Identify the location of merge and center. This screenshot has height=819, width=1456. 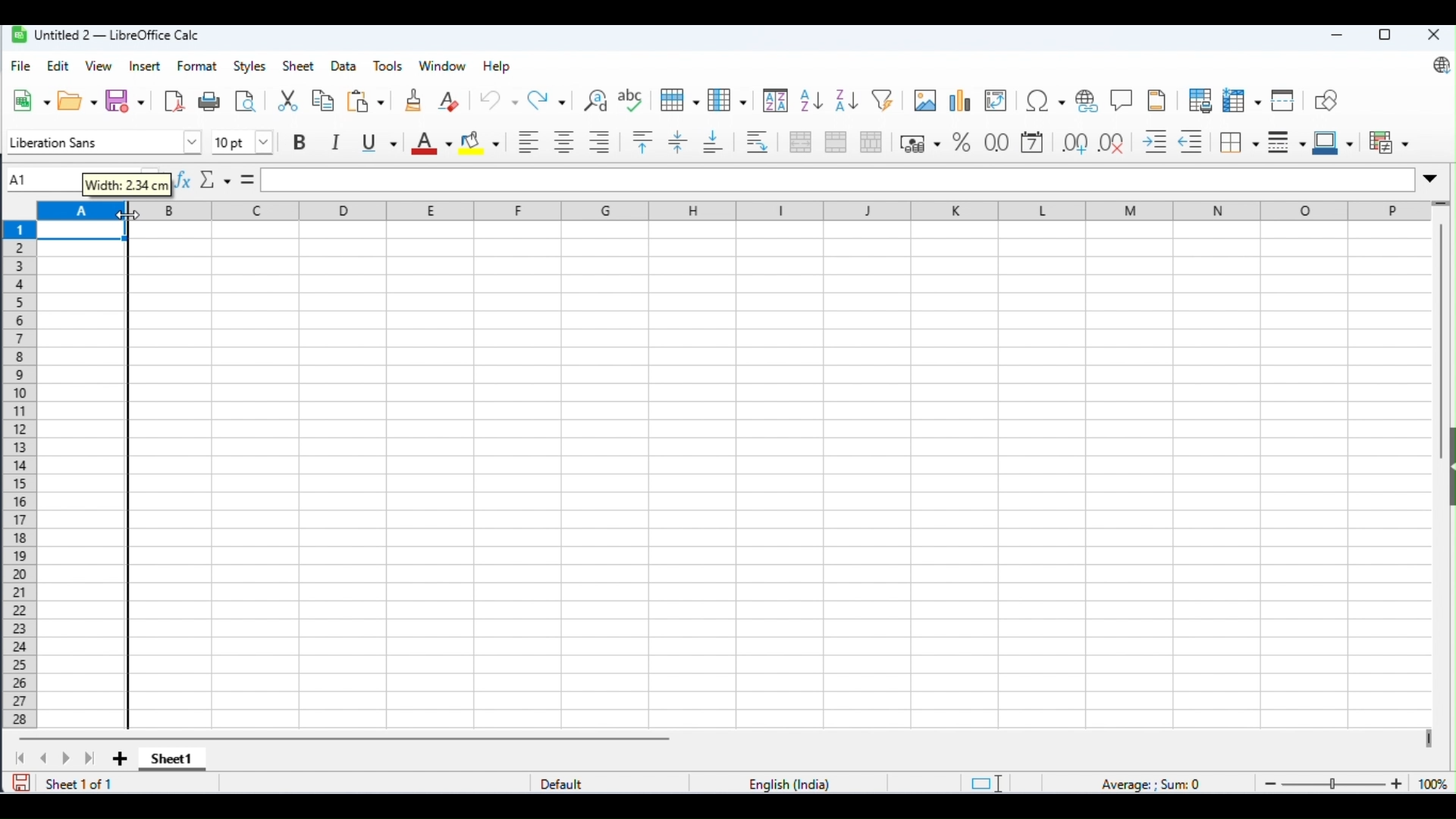
(801, 142).